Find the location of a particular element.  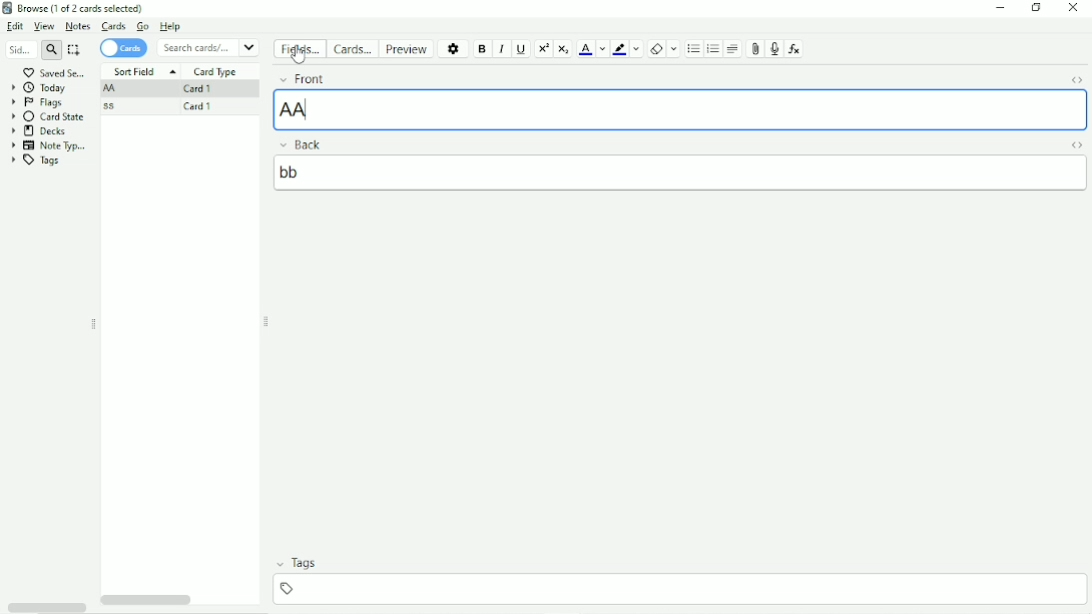

Underline is located at coordinates (522, 50).